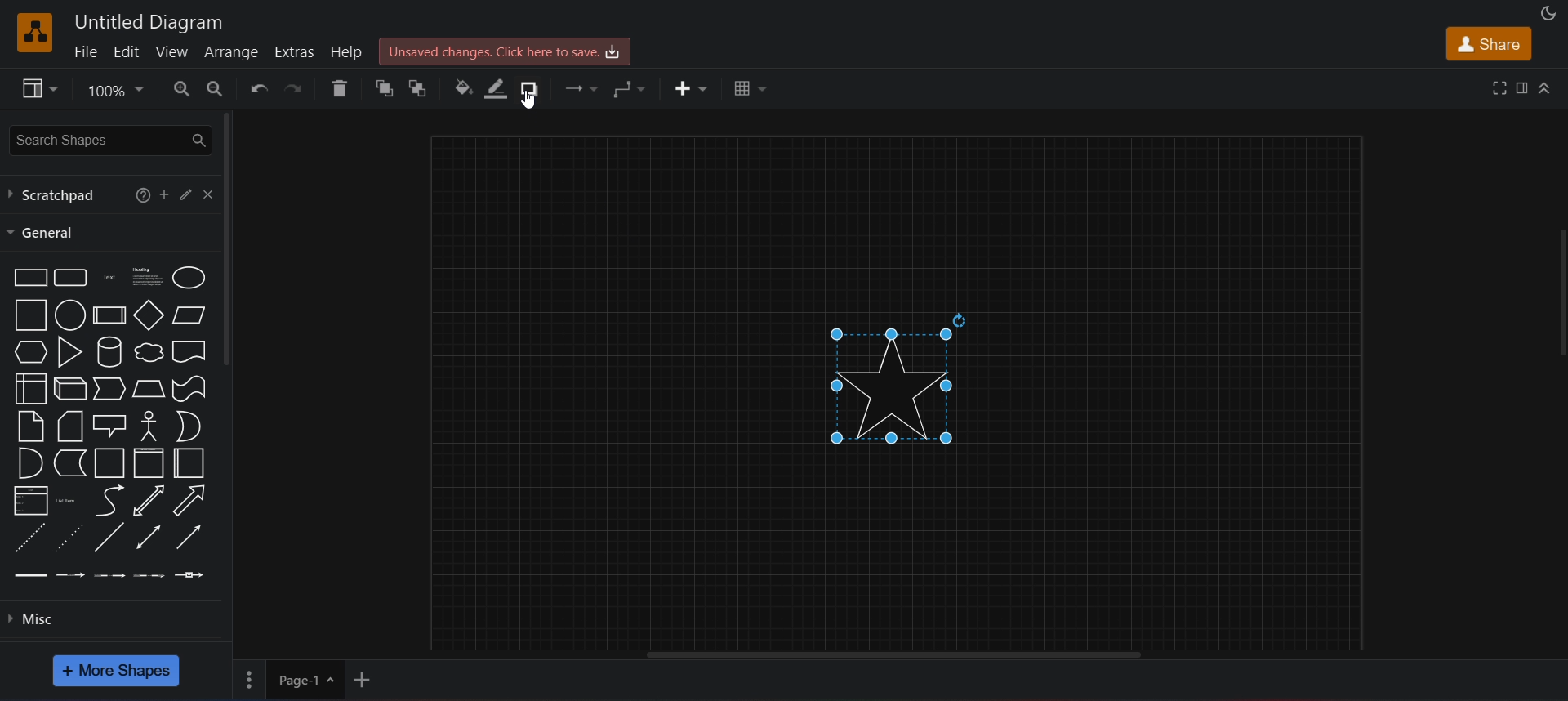 This screenshot has width=1568, height=701. Describe the element at coordinates (209, 194) in the screenshot. I see `close` at that location.